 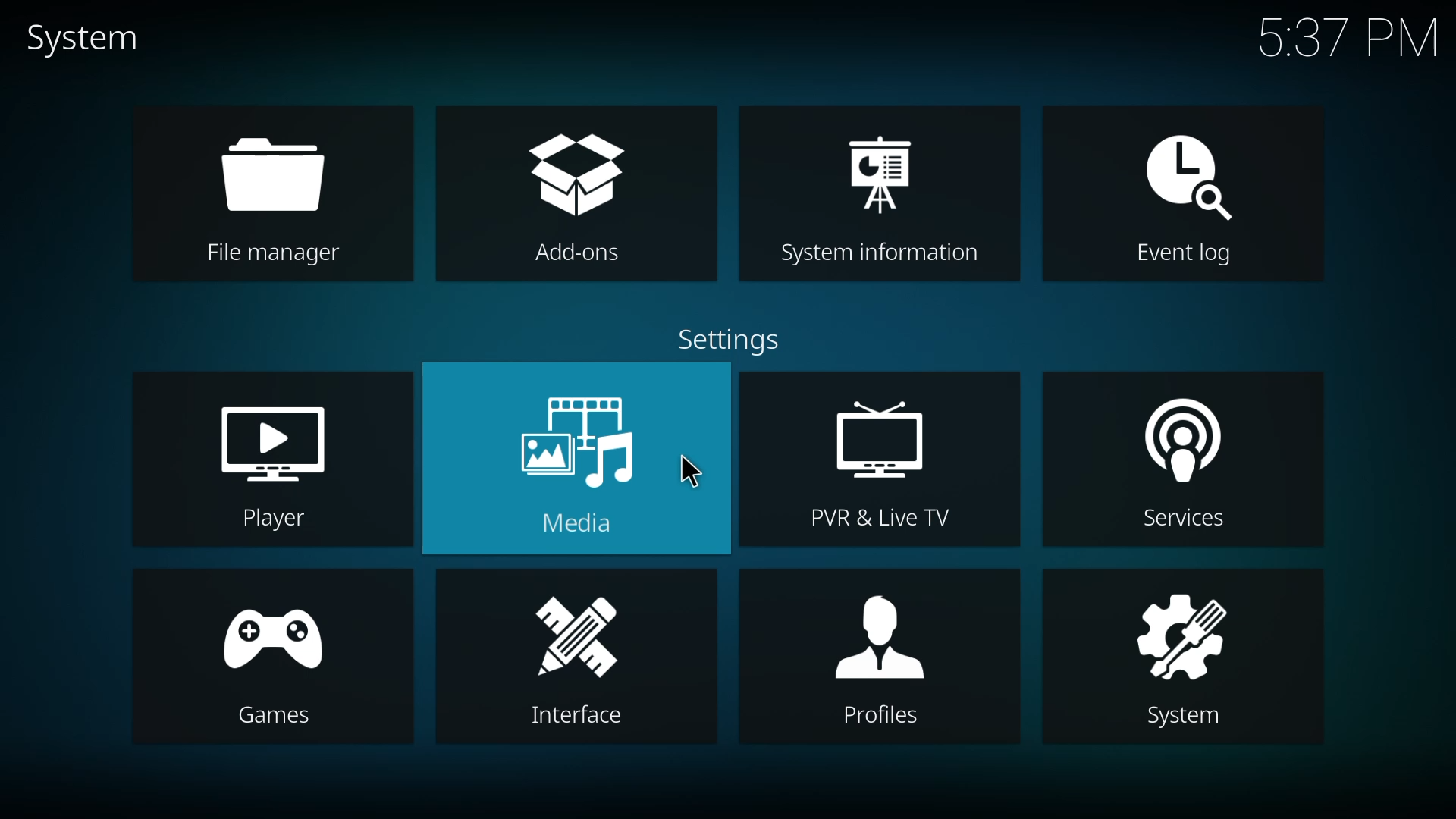 What do you see at coordinates (572, 639) in the screenshot?
I see `interface` at bounding box center [572, 639].